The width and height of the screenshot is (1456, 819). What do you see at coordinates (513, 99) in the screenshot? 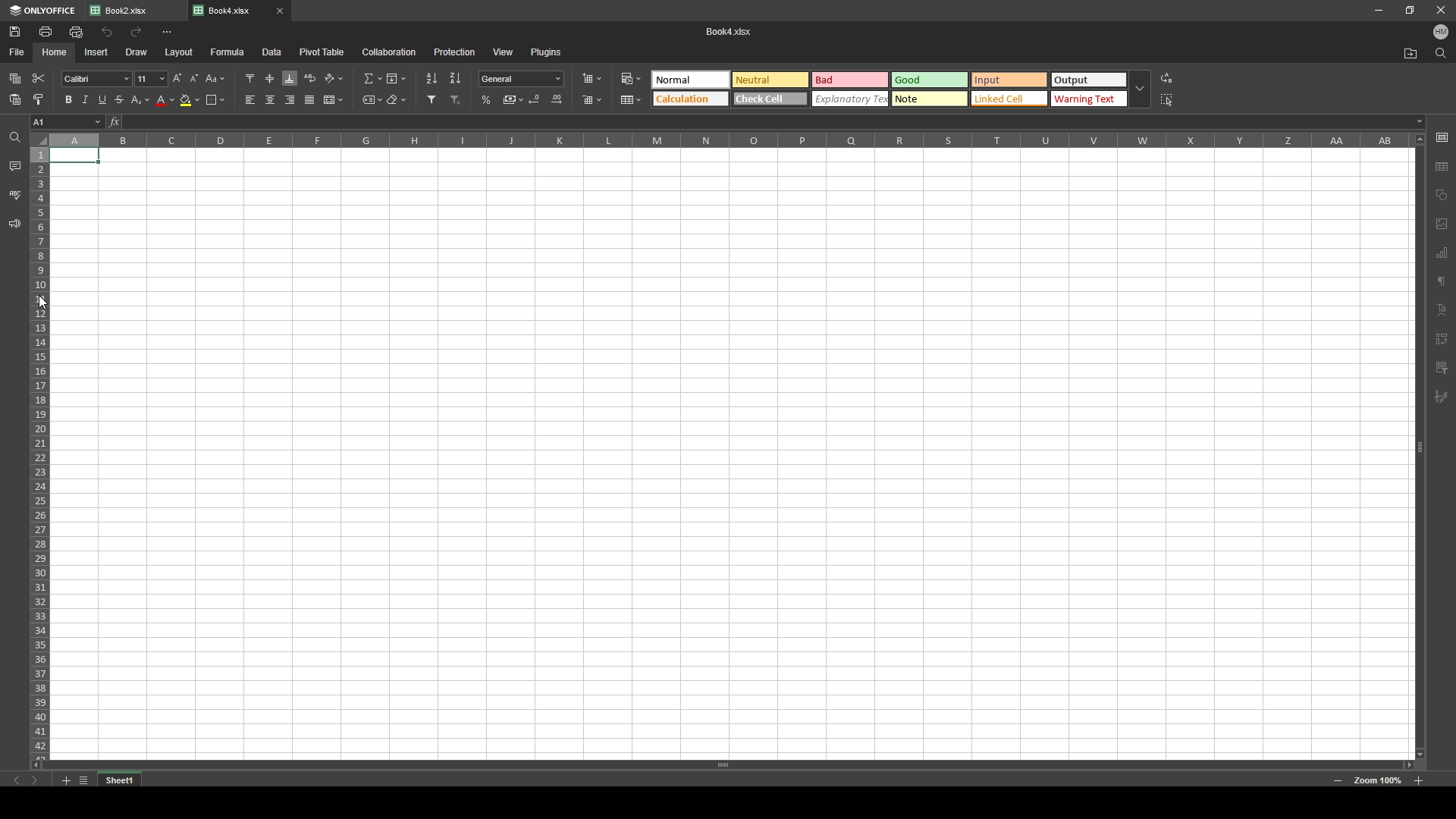
I see `comma style` at bounding box center [513, 99].